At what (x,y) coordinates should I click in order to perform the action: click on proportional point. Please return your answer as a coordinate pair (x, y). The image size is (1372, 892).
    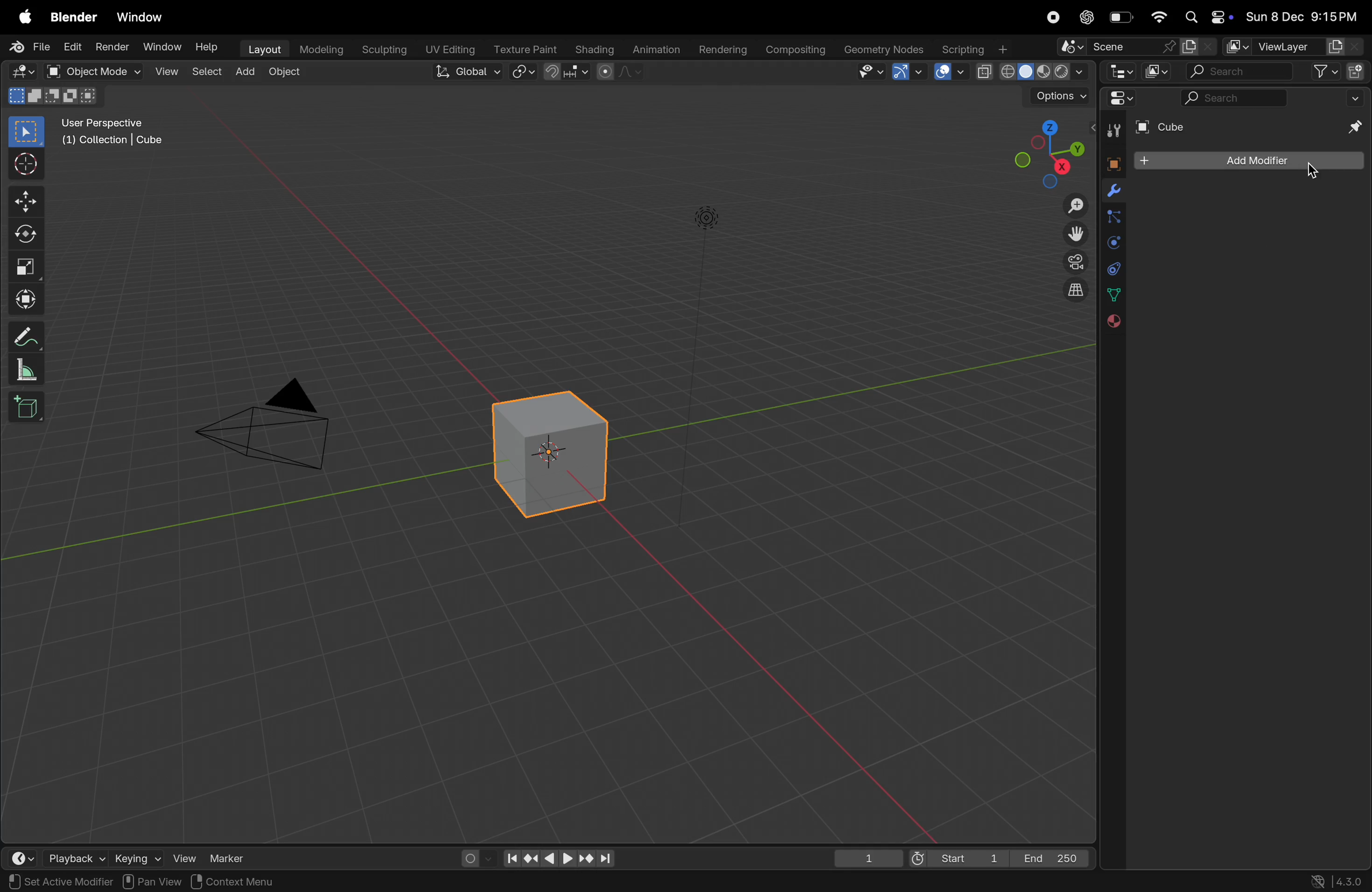
    Looking at the image, I should click on (618, 71).